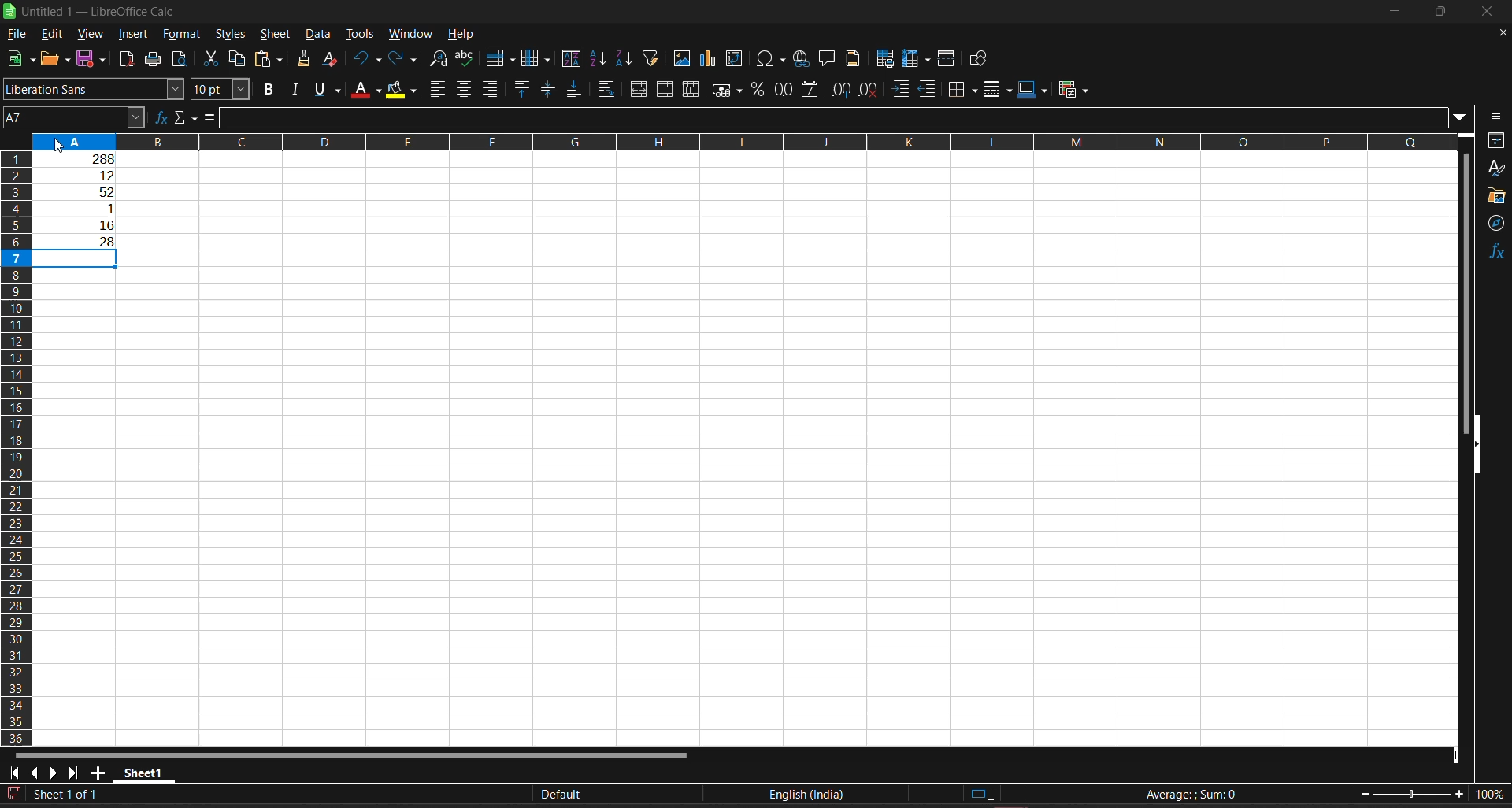 Image resolution: width=1512 pixels, height=808 pixels. I want to click on sheet name, so click(145, 771).